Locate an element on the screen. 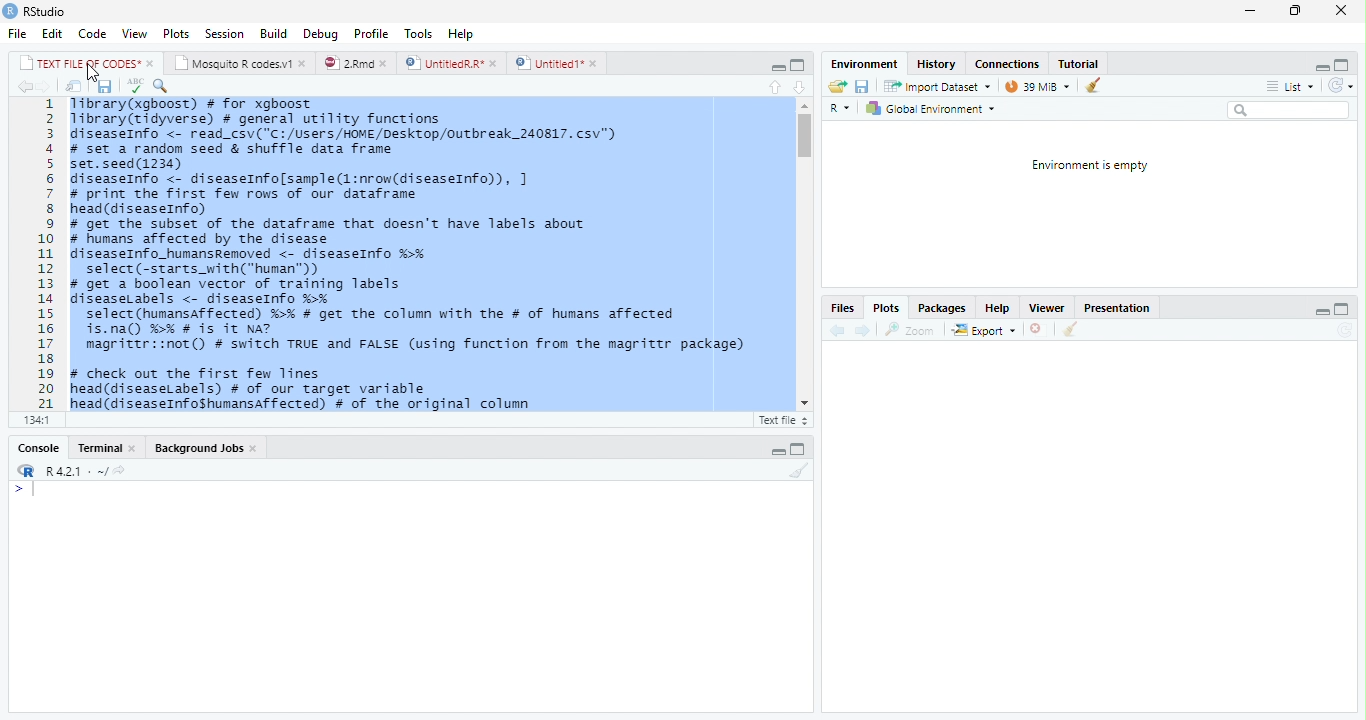  1:1 is located at coordinates (38, 419).